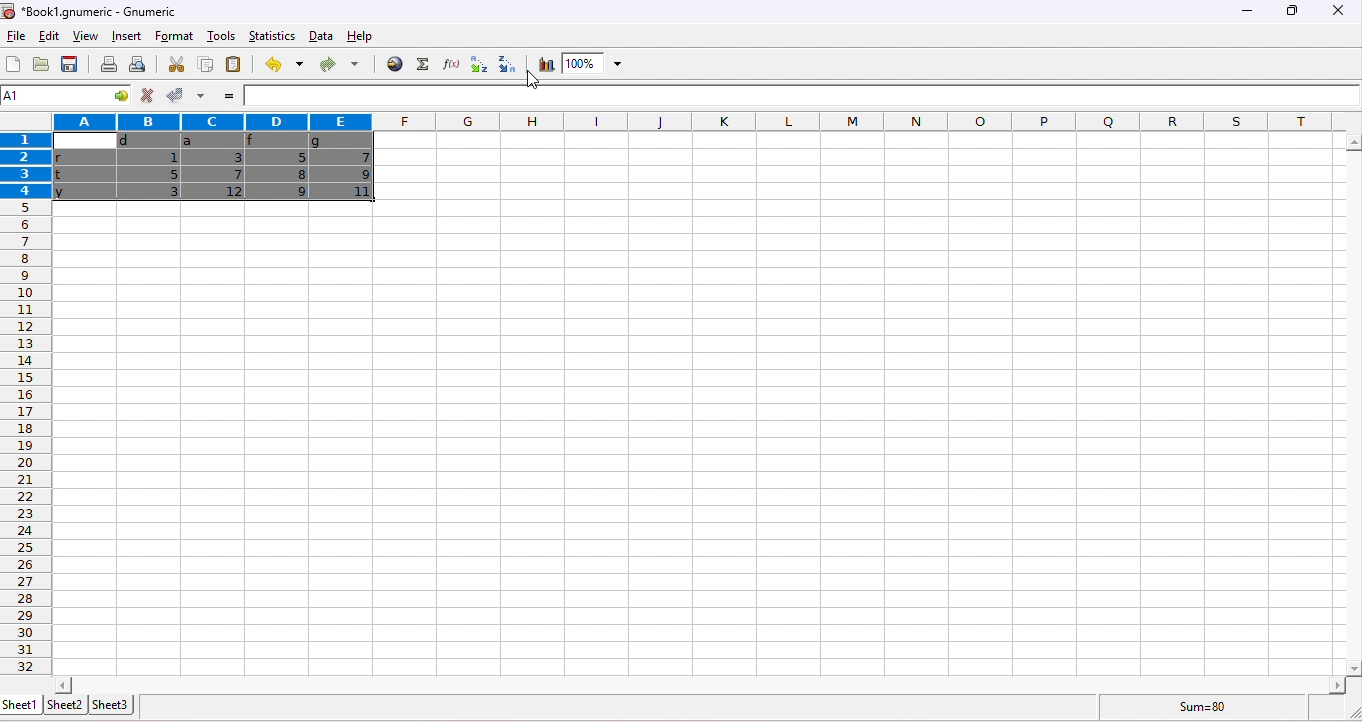  I want to click on reject, so click(146, 95).